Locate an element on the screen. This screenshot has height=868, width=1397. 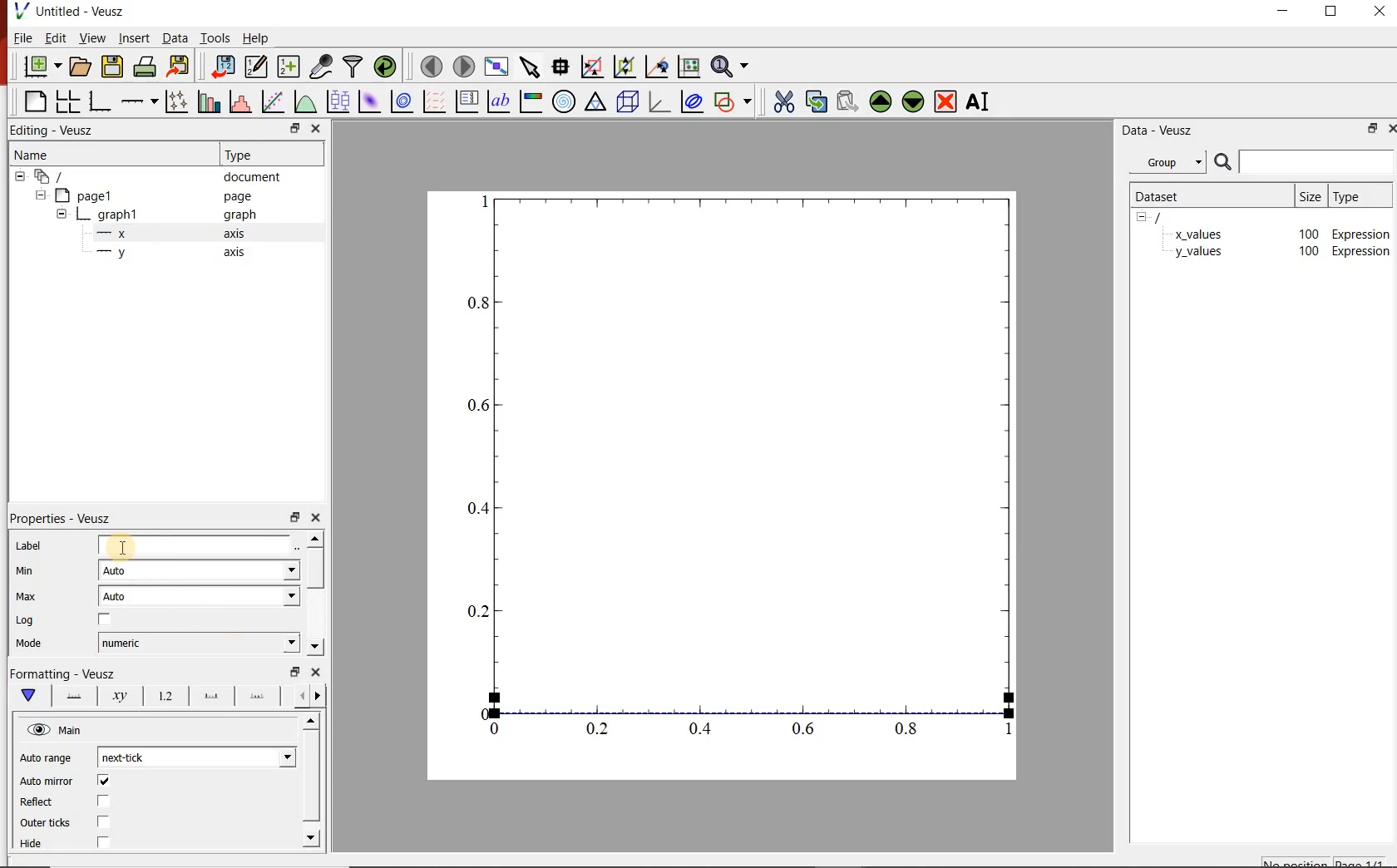
plot covariance ellipse is located at coordinates (690, 101).